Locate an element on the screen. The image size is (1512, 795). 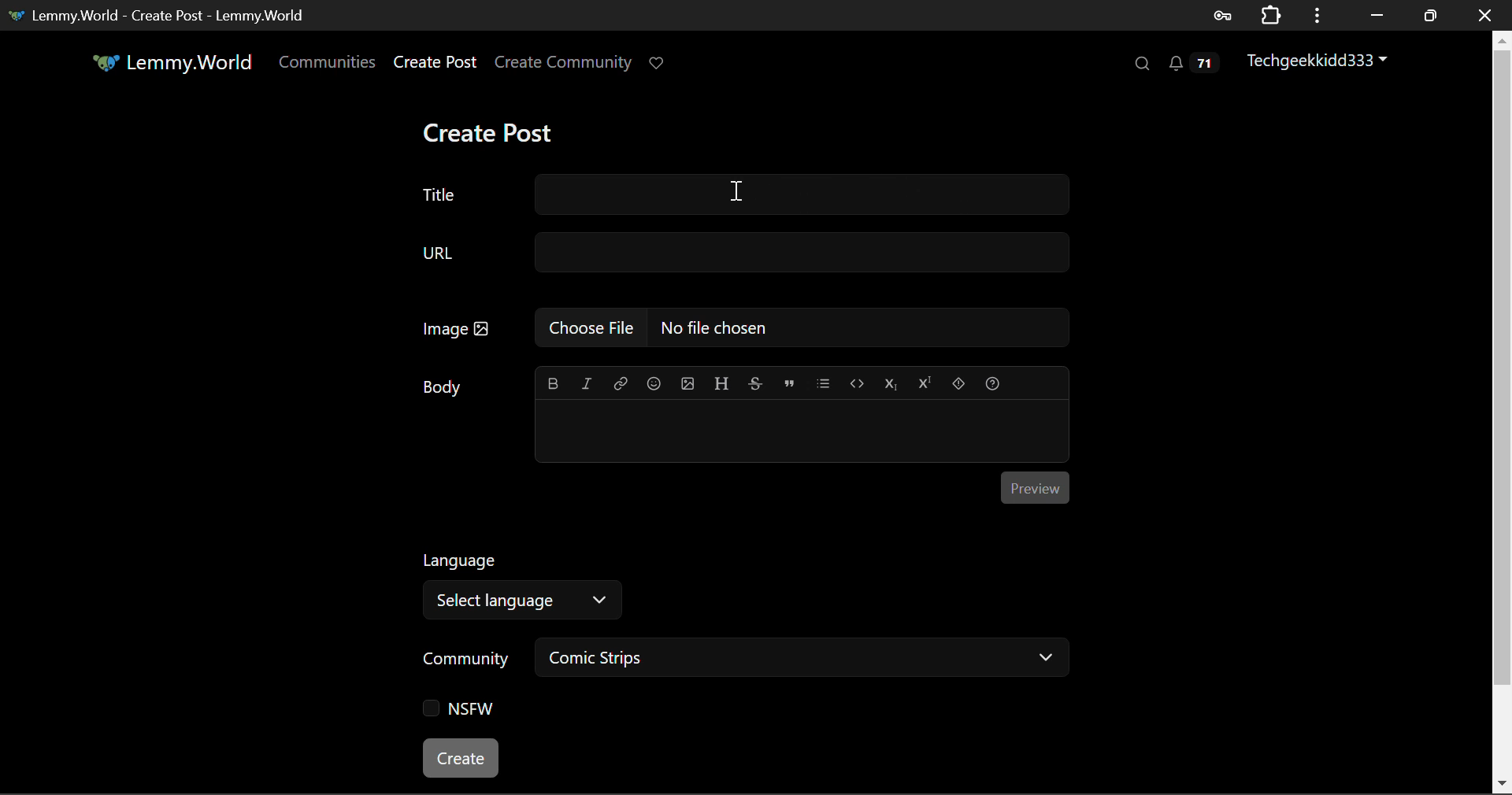
Lemmy.World- Create Post - Lemmy.World is located at coordinates (164, 15).